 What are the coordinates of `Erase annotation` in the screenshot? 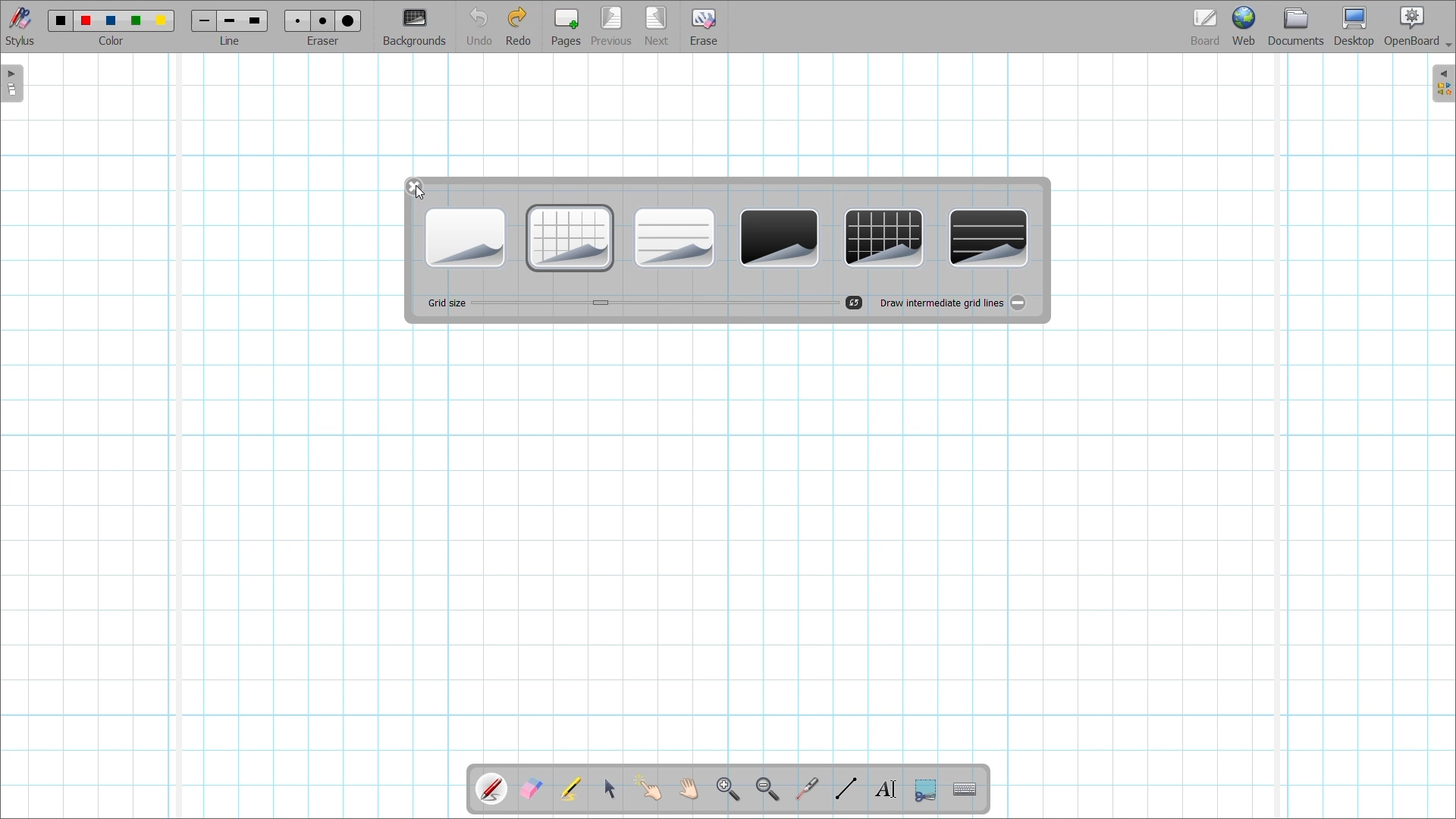 It's located at (530, 789).